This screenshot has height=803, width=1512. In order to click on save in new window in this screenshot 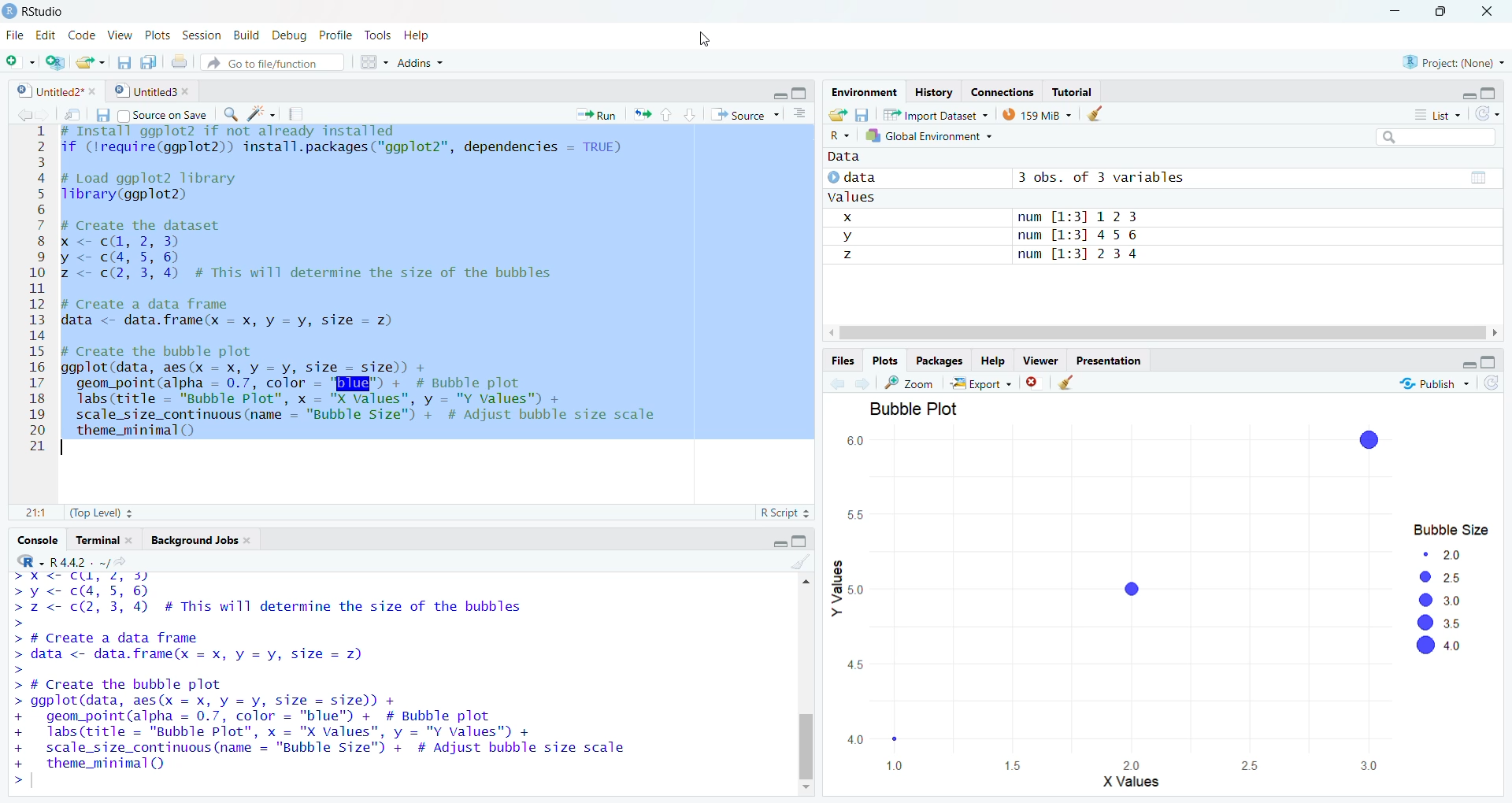, I will do `click(67, 111)`.